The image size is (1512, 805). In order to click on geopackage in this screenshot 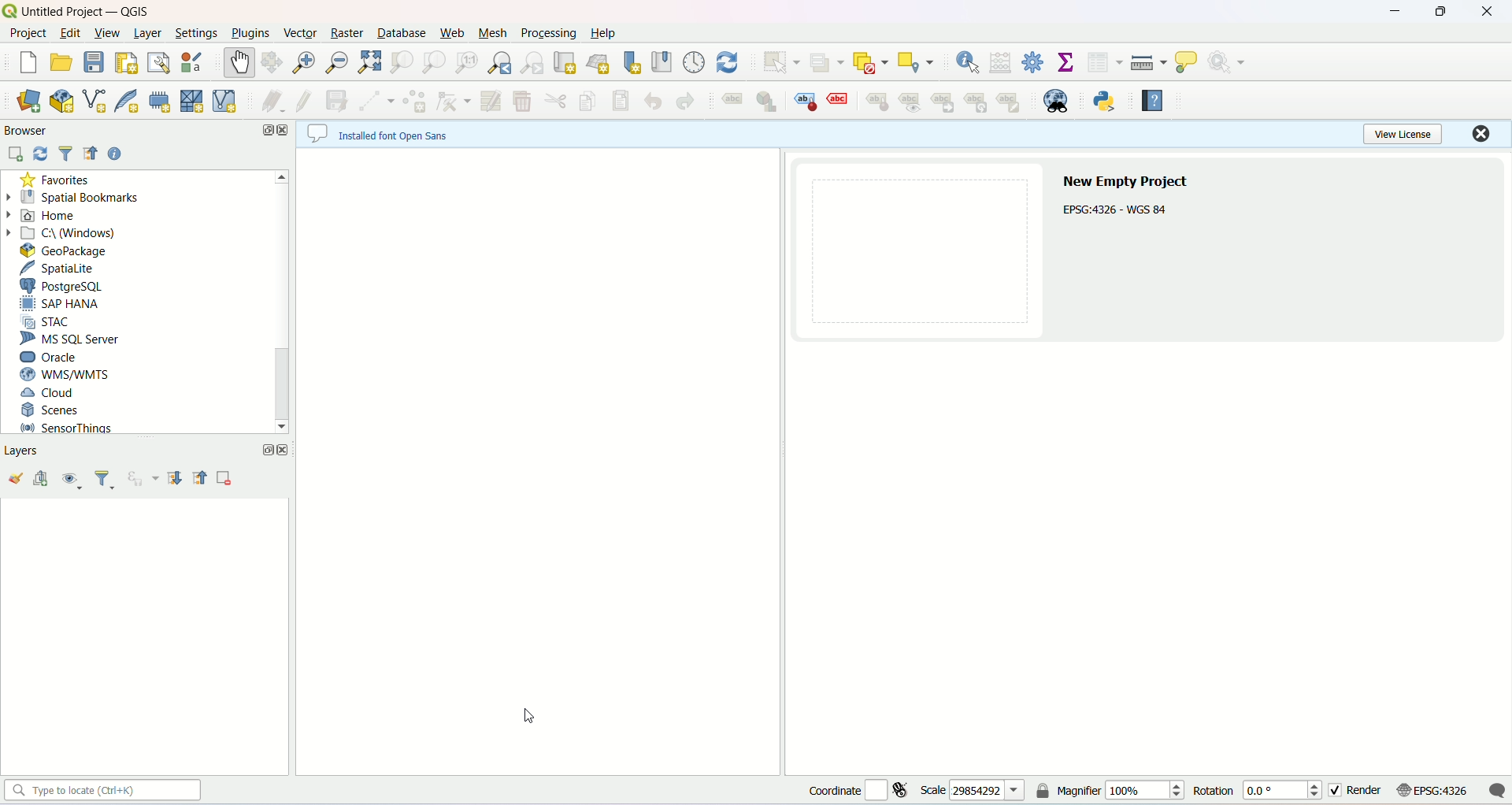, I will do `click(62, 250)`.